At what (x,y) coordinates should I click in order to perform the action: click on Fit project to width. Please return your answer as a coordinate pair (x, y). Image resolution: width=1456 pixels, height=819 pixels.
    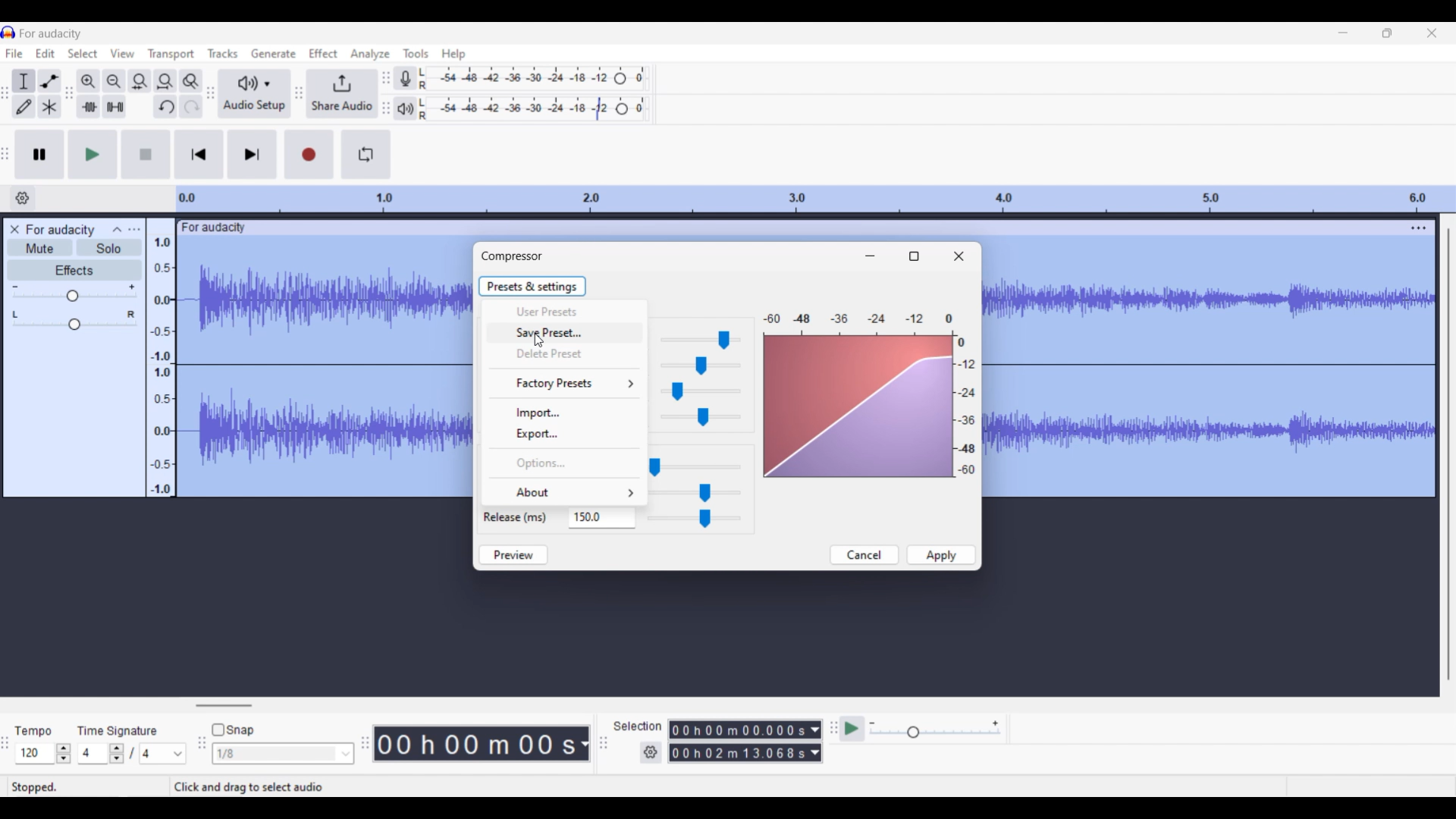
    Looking at the image, I should click on (165, 80).